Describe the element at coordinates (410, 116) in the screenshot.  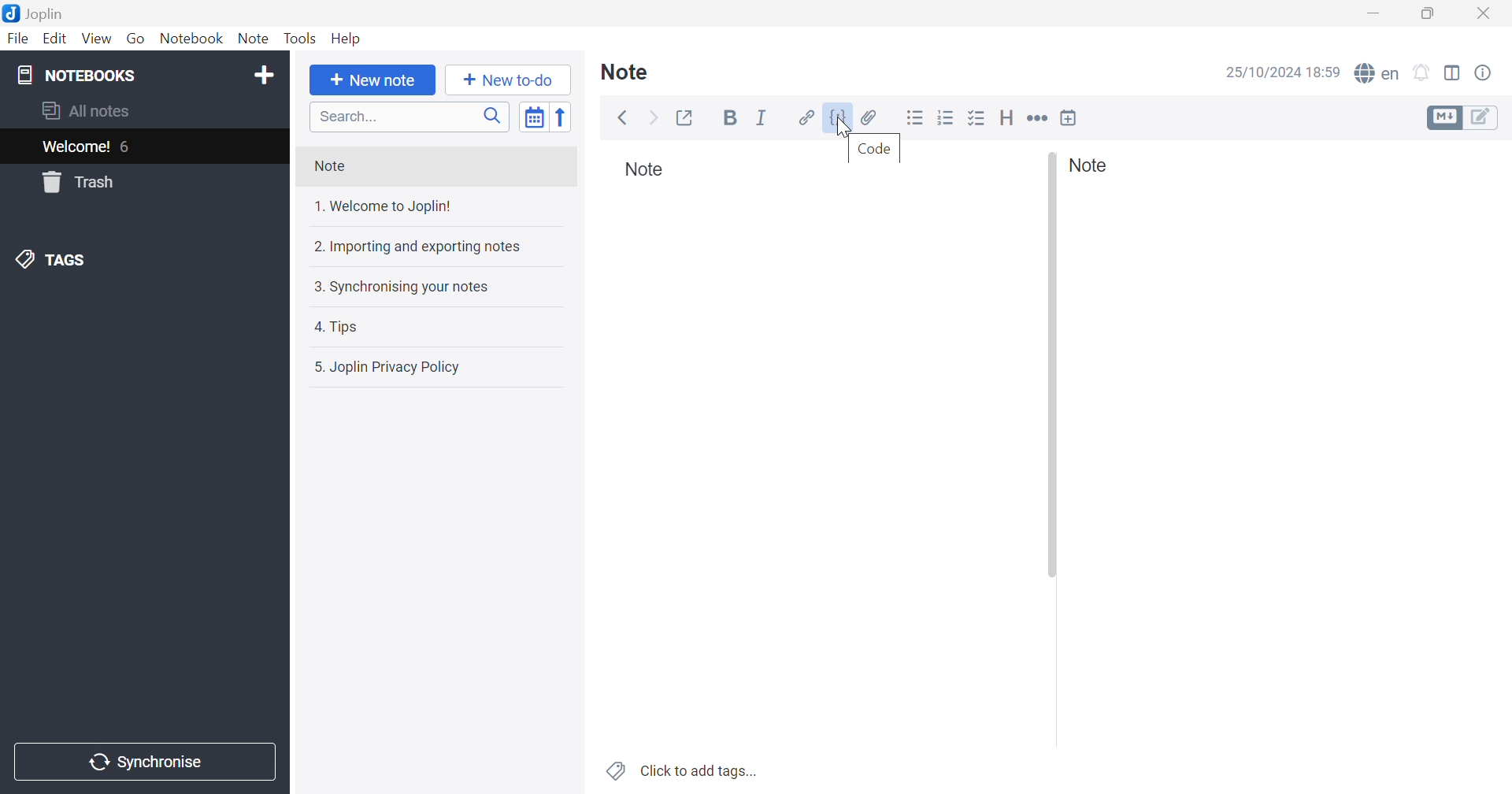
I see `Search bar` at that location.